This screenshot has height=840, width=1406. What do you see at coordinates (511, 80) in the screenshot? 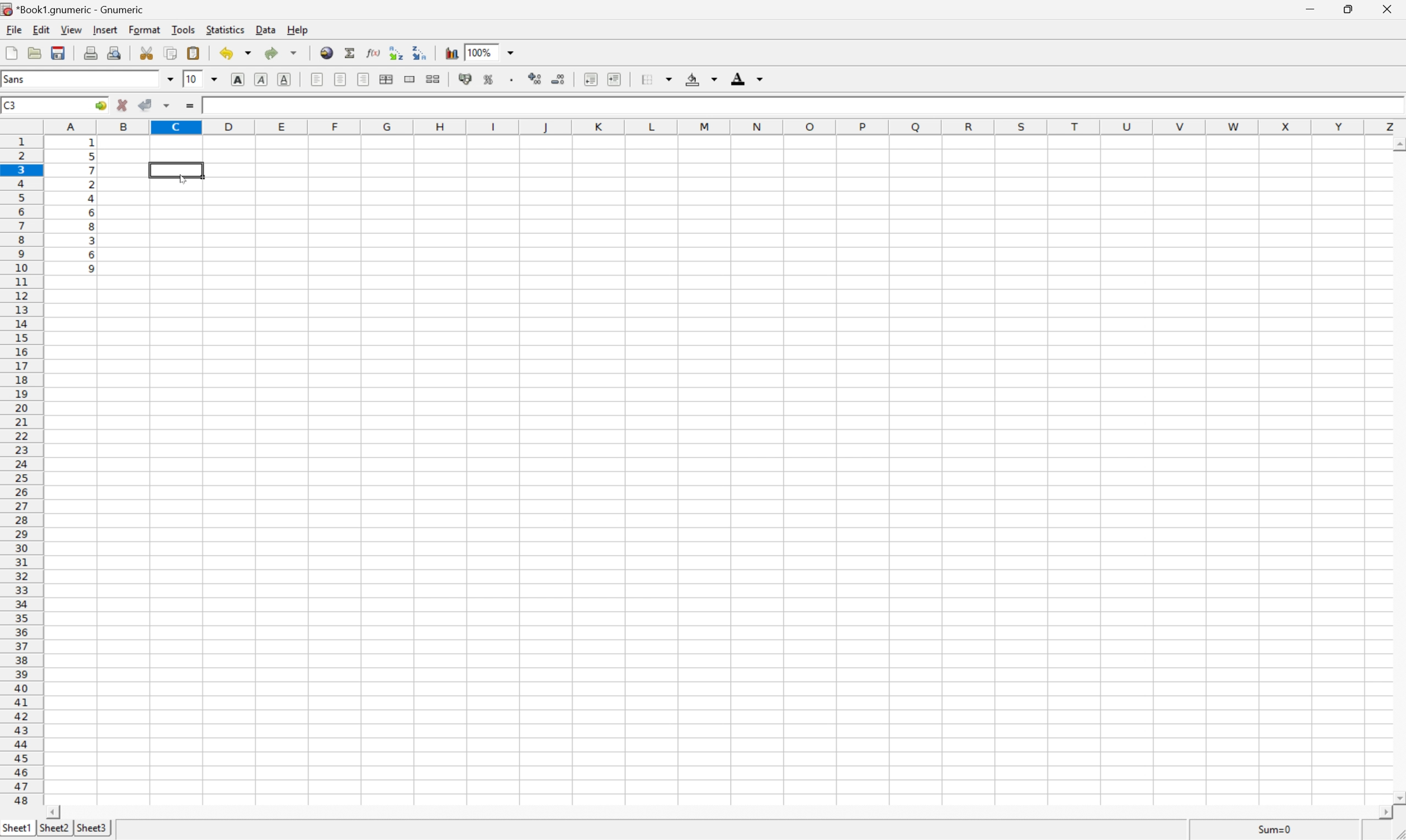
I see `Set the format of the selected cells to include a thousands separator` at bounding box center [511, 80].